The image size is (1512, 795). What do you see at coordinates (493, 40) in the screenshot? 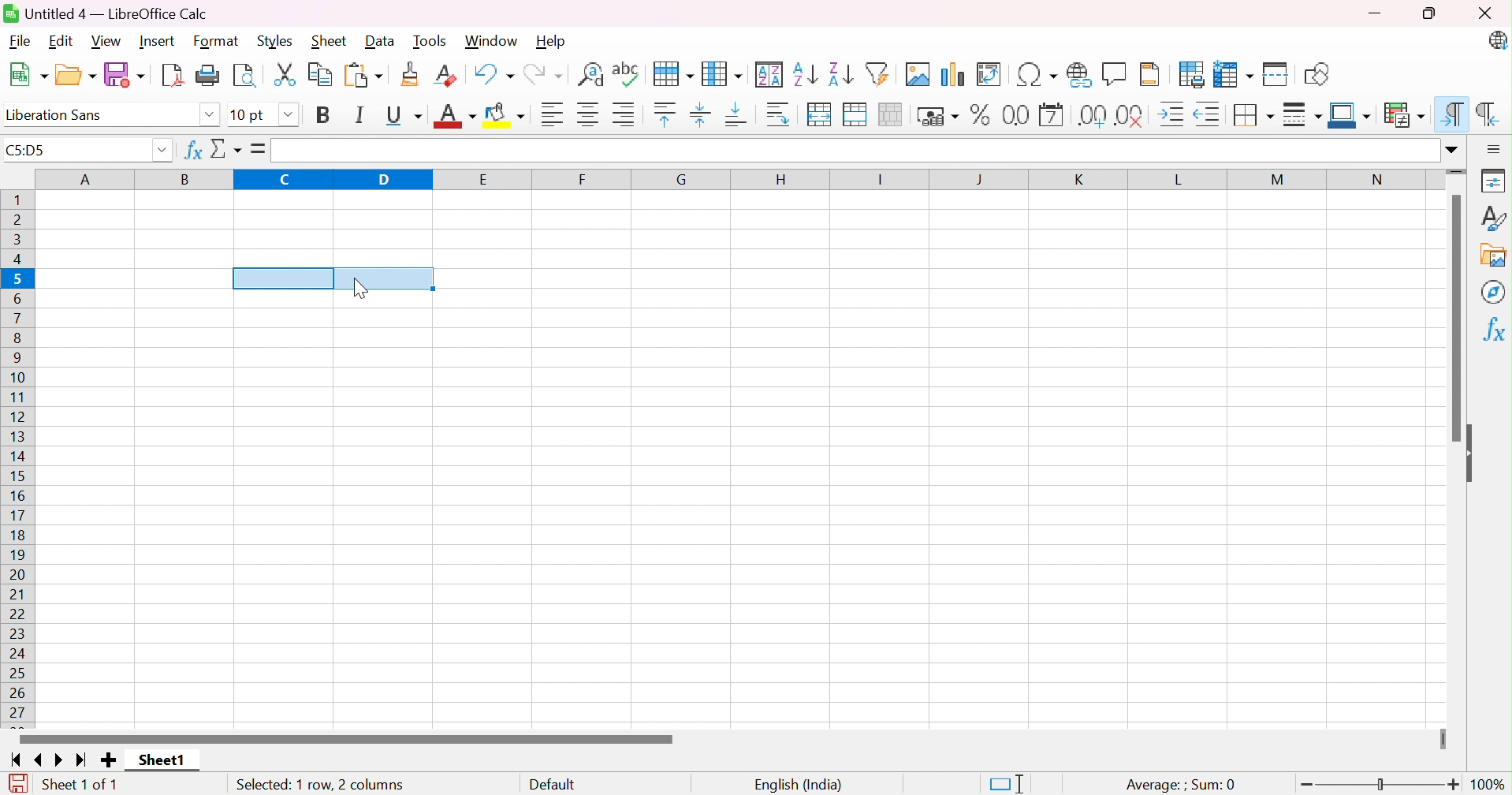
I see `Window` at bounding box center [493, 40].